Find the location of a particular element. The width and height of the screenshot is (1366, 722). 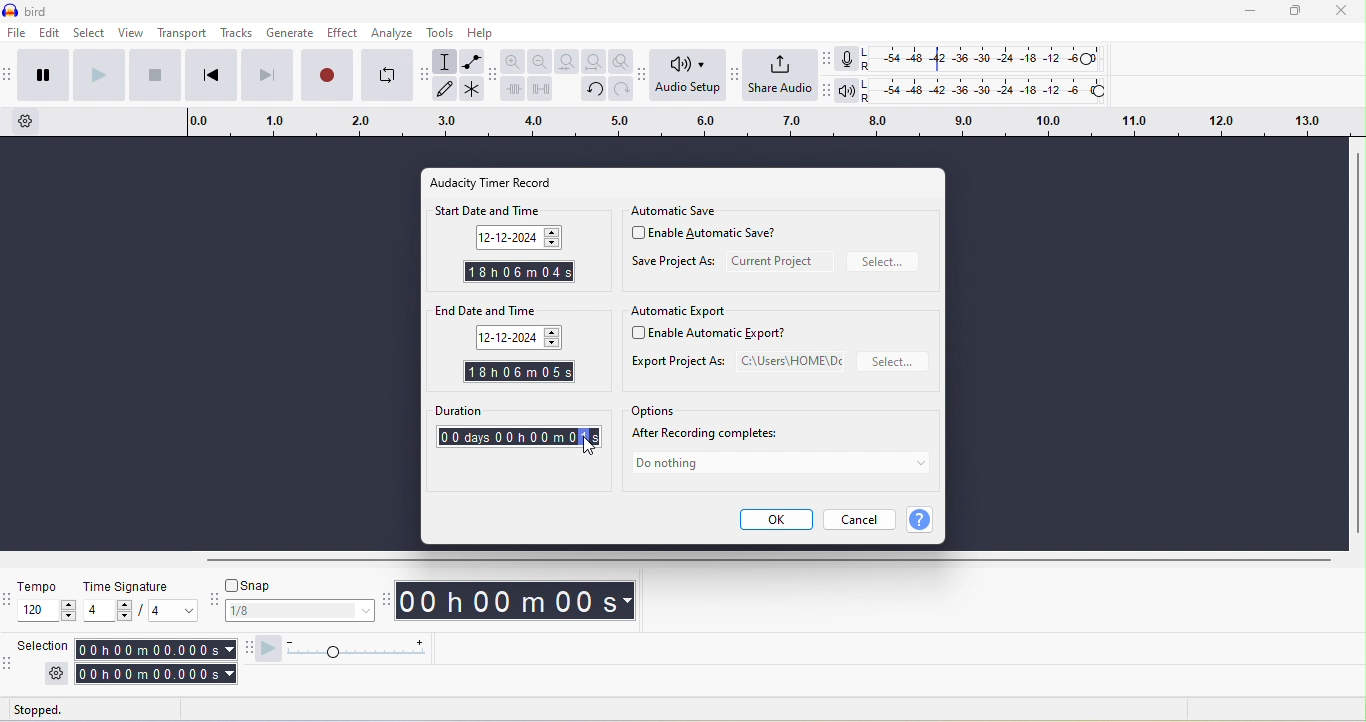

generate is located at coordinates (290, 34).